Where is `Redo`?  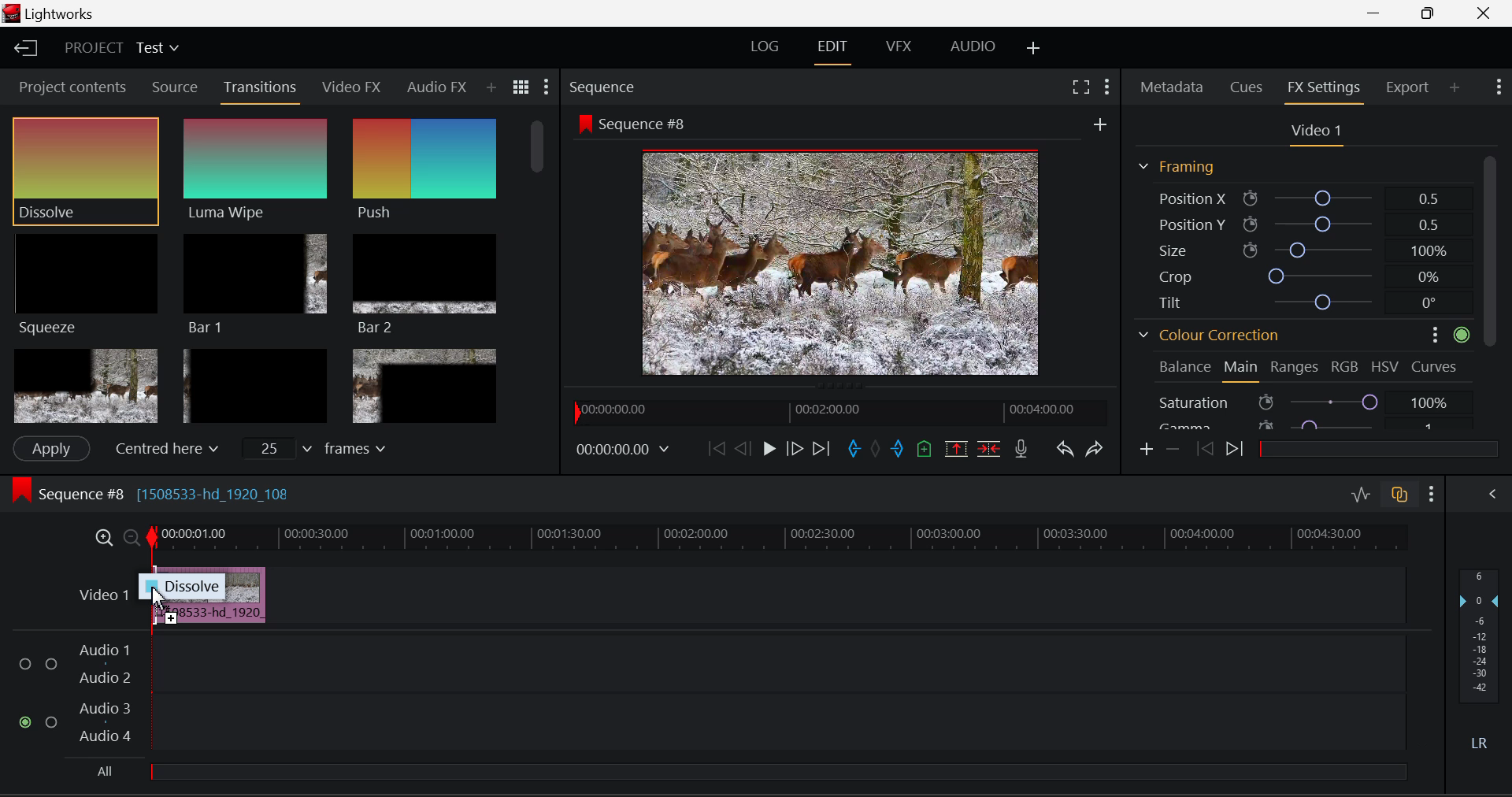 Redo is located at coordinates (1096, 450).